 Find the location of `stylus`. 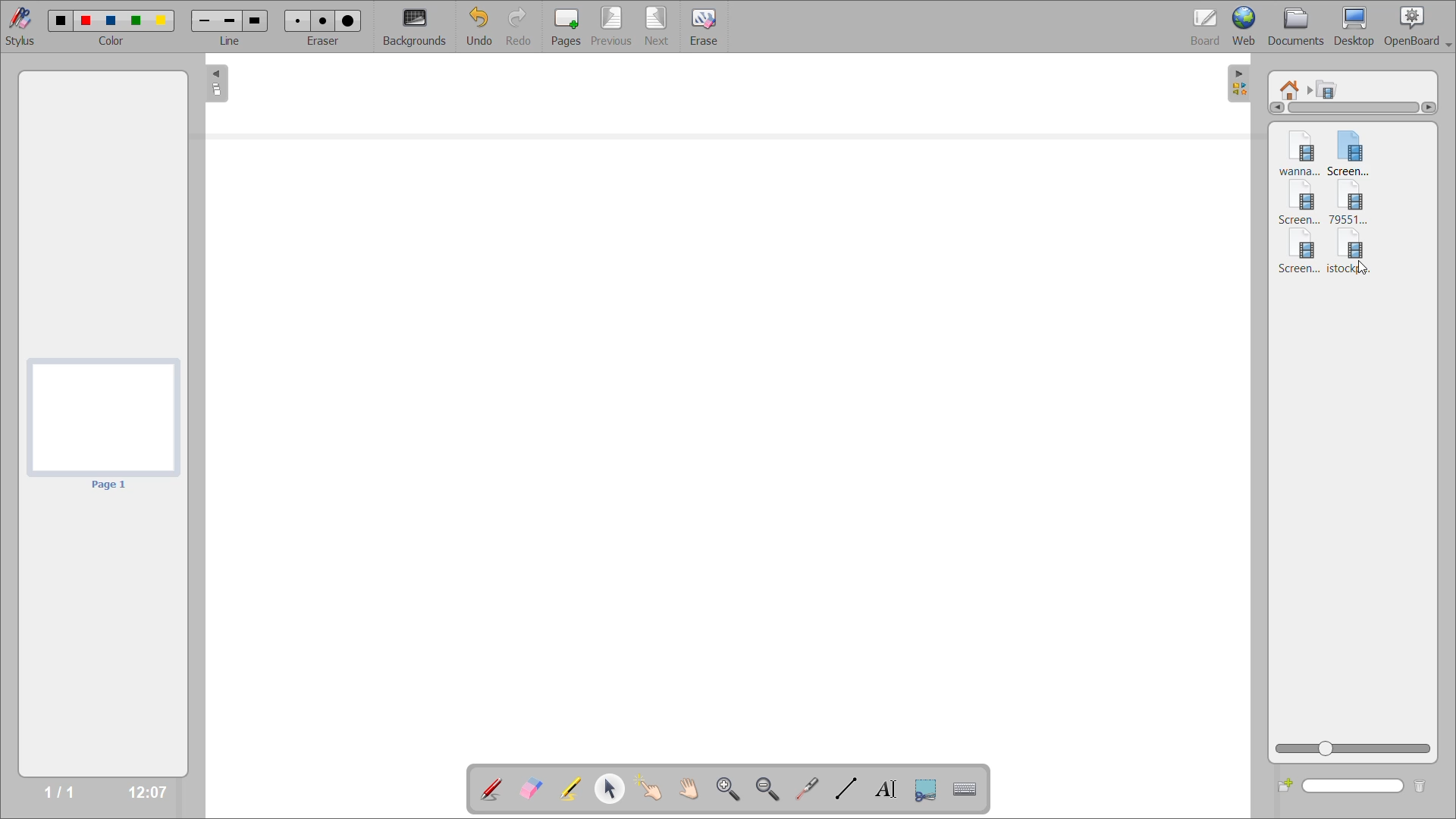

stylus is located at coordinates (24, 27).